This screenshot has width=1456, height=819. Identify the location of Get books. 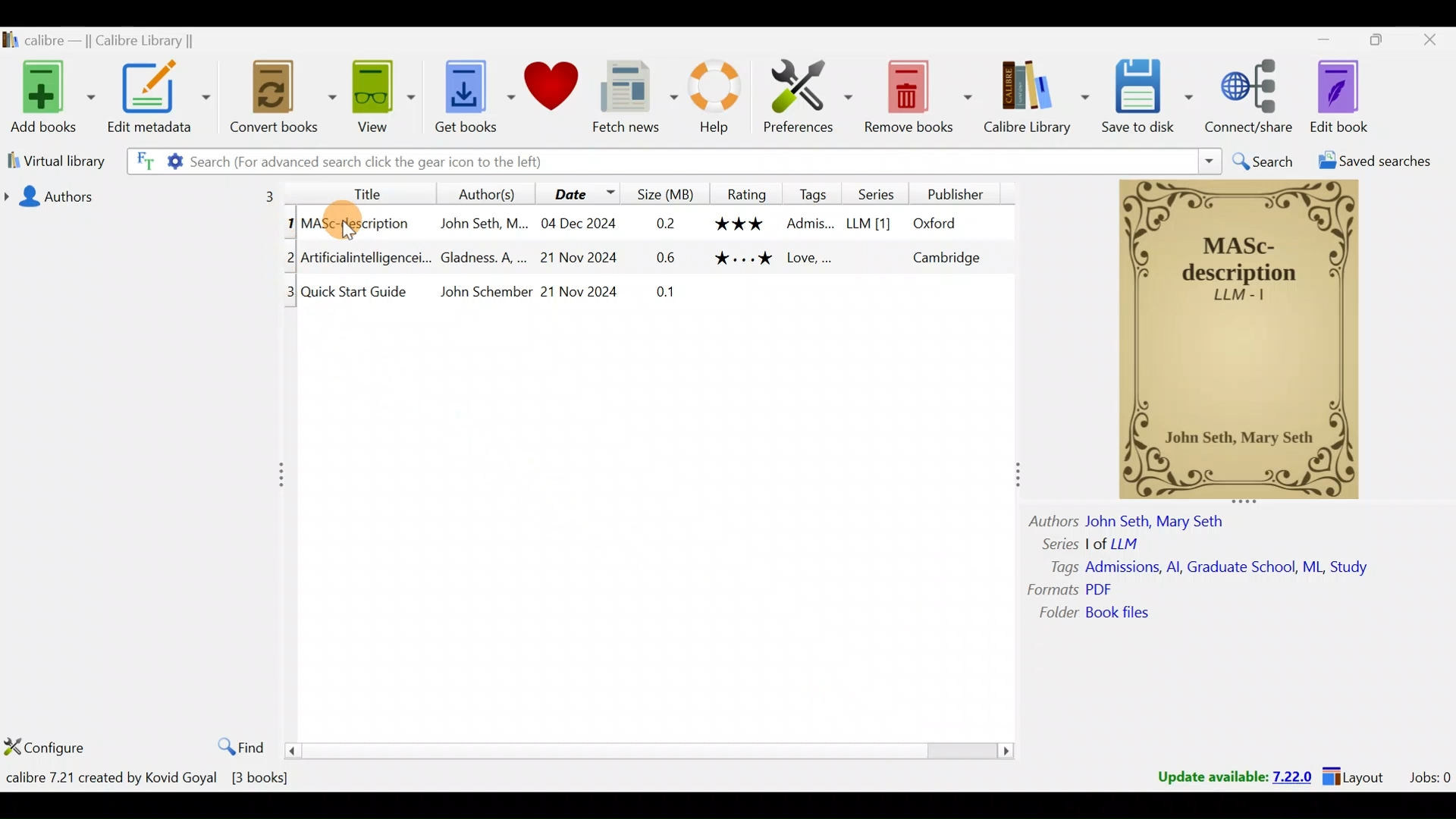
(474, 100).